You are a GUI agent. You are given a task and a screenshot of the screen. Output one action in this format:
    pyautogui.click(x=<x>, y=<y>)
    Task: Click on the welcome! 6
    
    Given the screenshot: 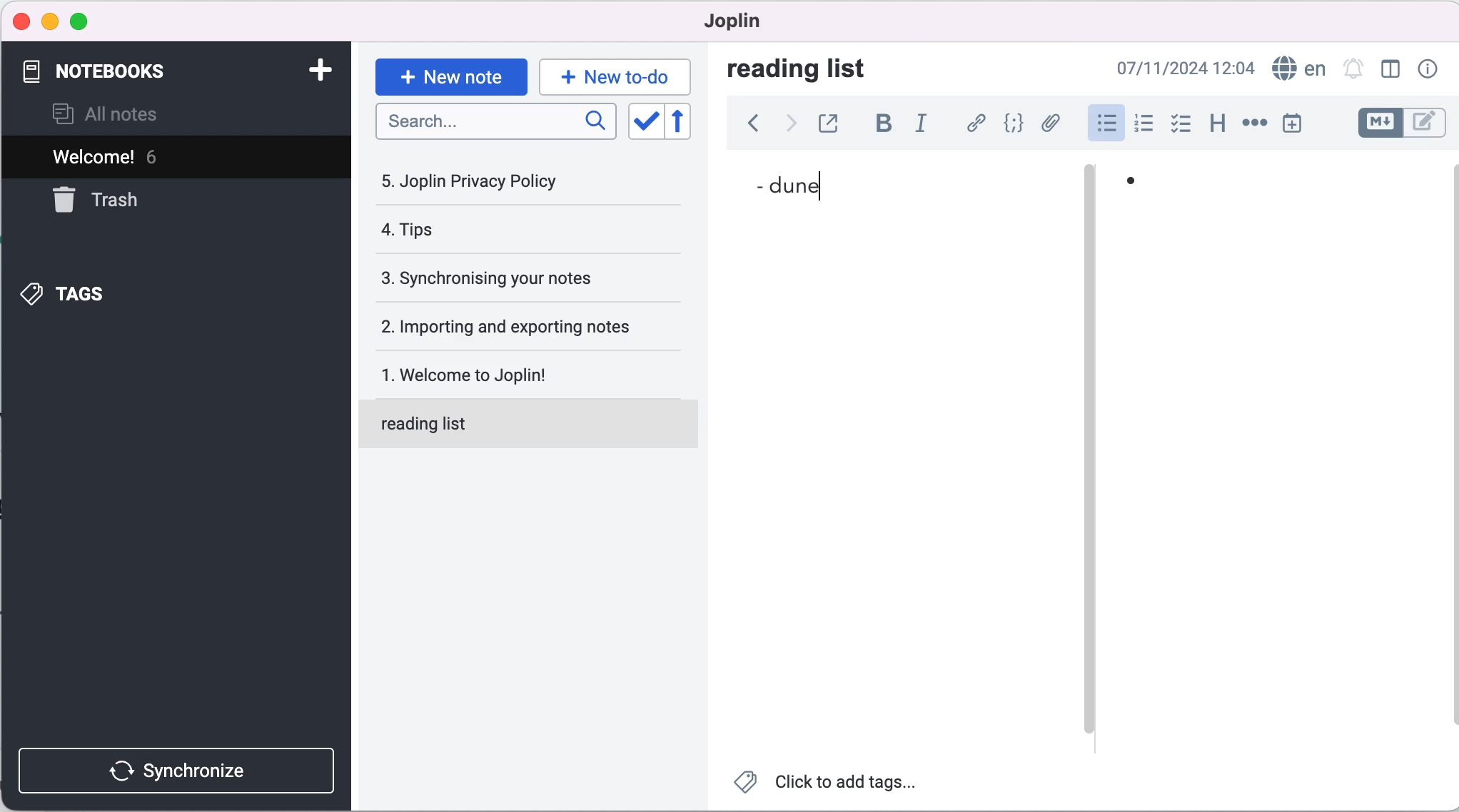 What is the action you would take?
    pyautogui.click(x=158, y=158)
    